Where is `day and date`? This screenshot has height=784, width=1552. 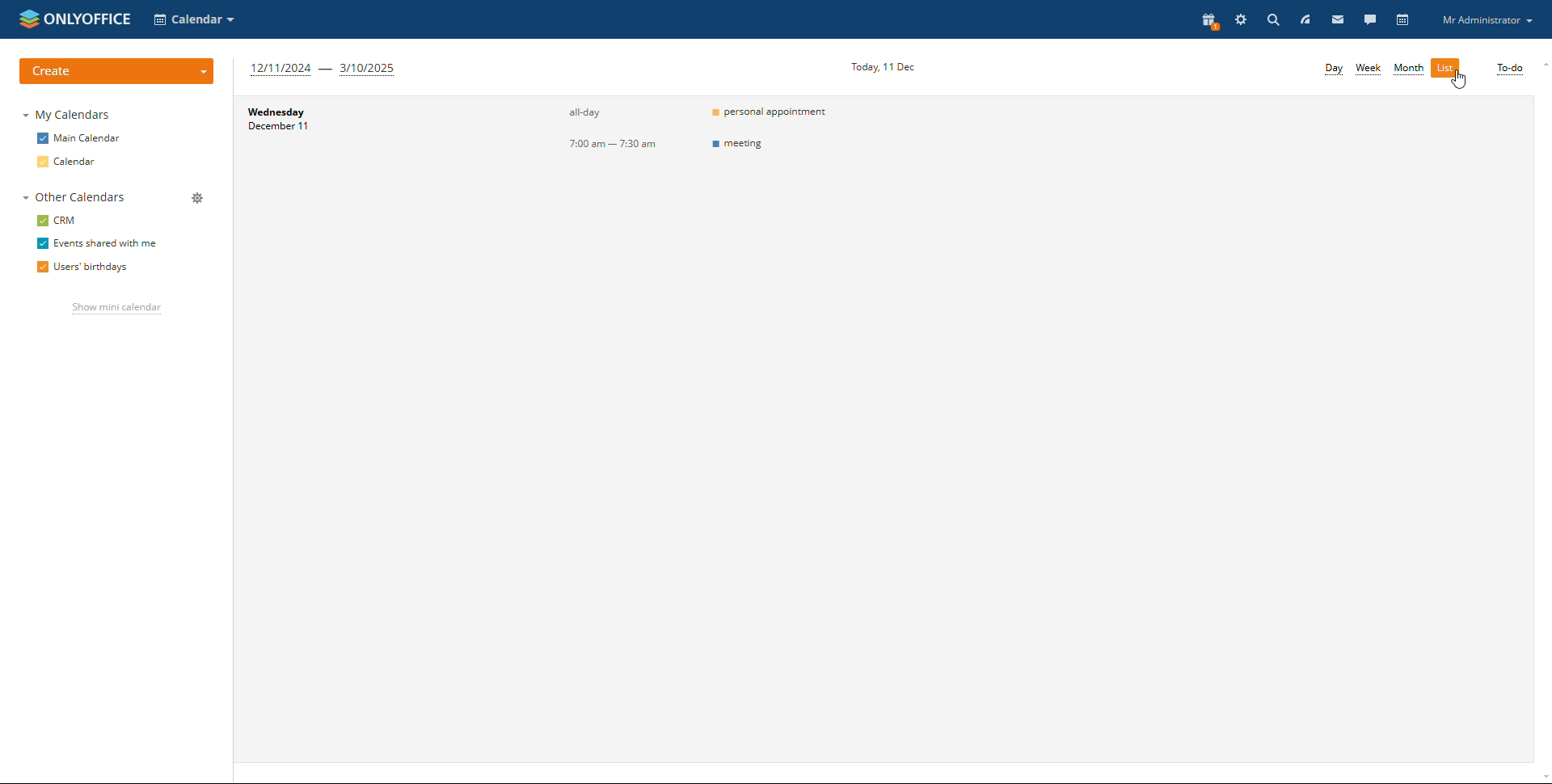 day and date is located at coordinates (354, 129).